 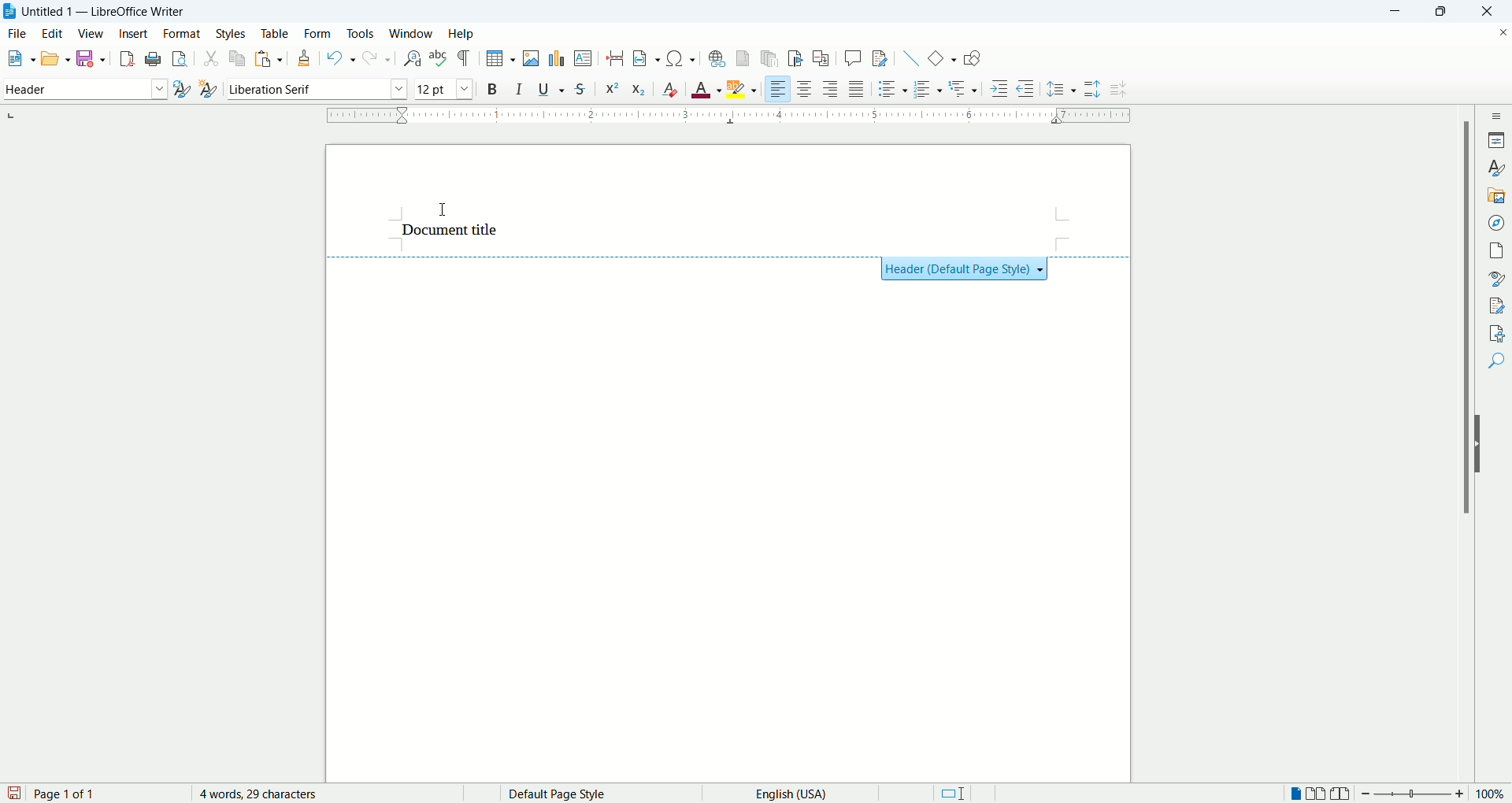 I want to click on standard selection, so click(x=952, y=793).